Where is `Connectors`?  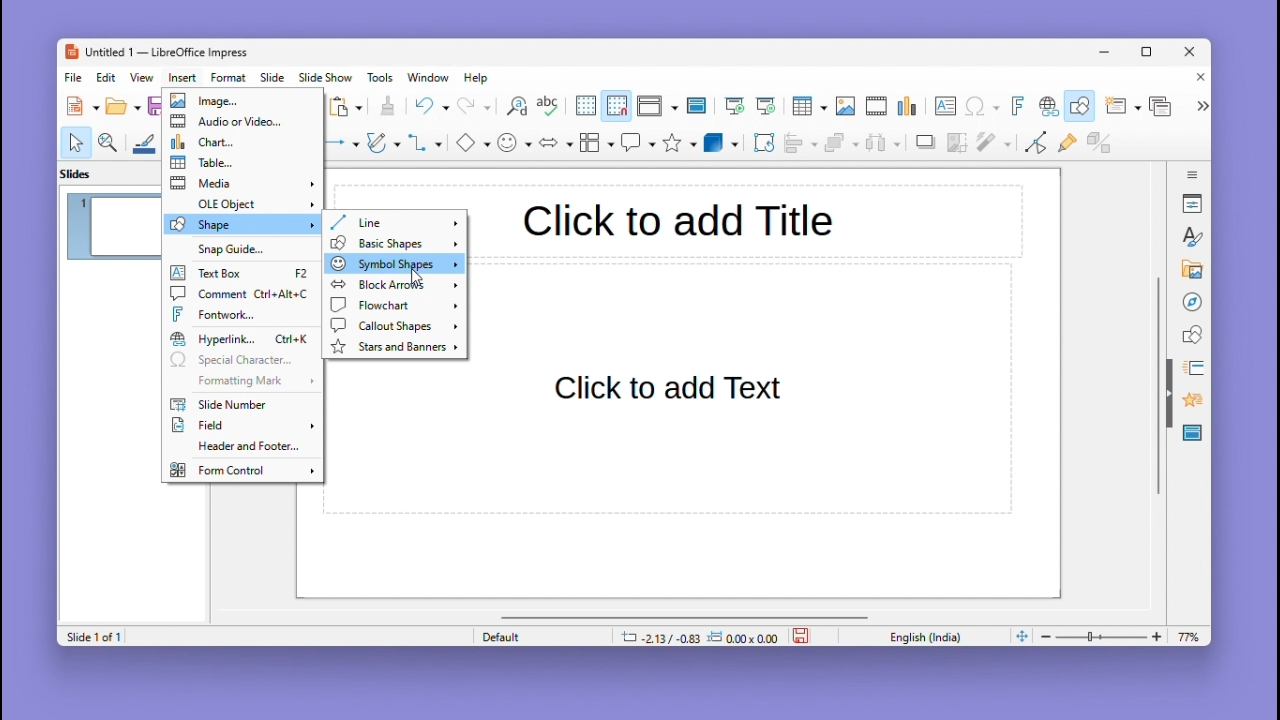 Connectors is located at coordinates (425, 142).